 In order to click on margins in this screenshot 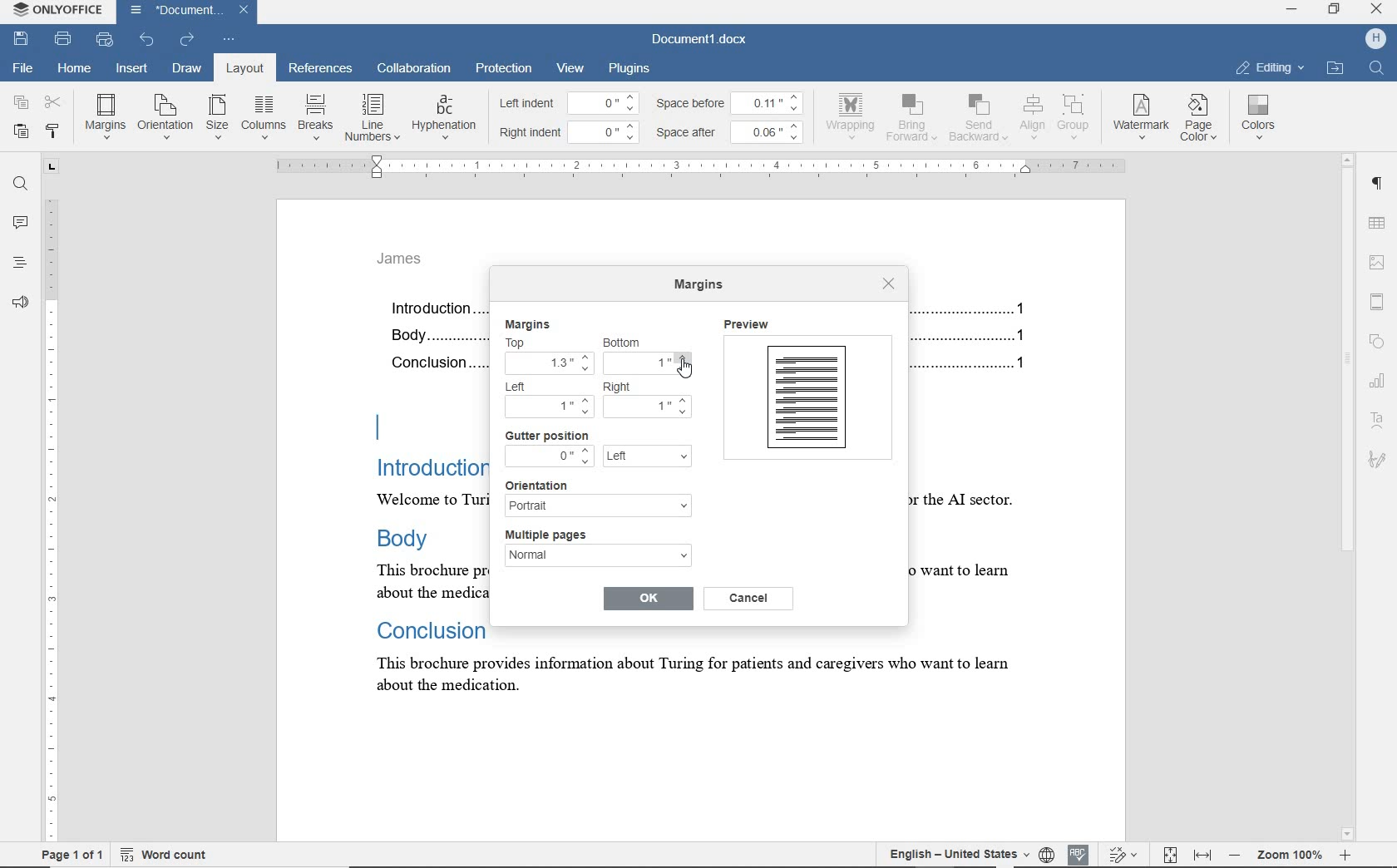, I will do `click(702, 287)`.